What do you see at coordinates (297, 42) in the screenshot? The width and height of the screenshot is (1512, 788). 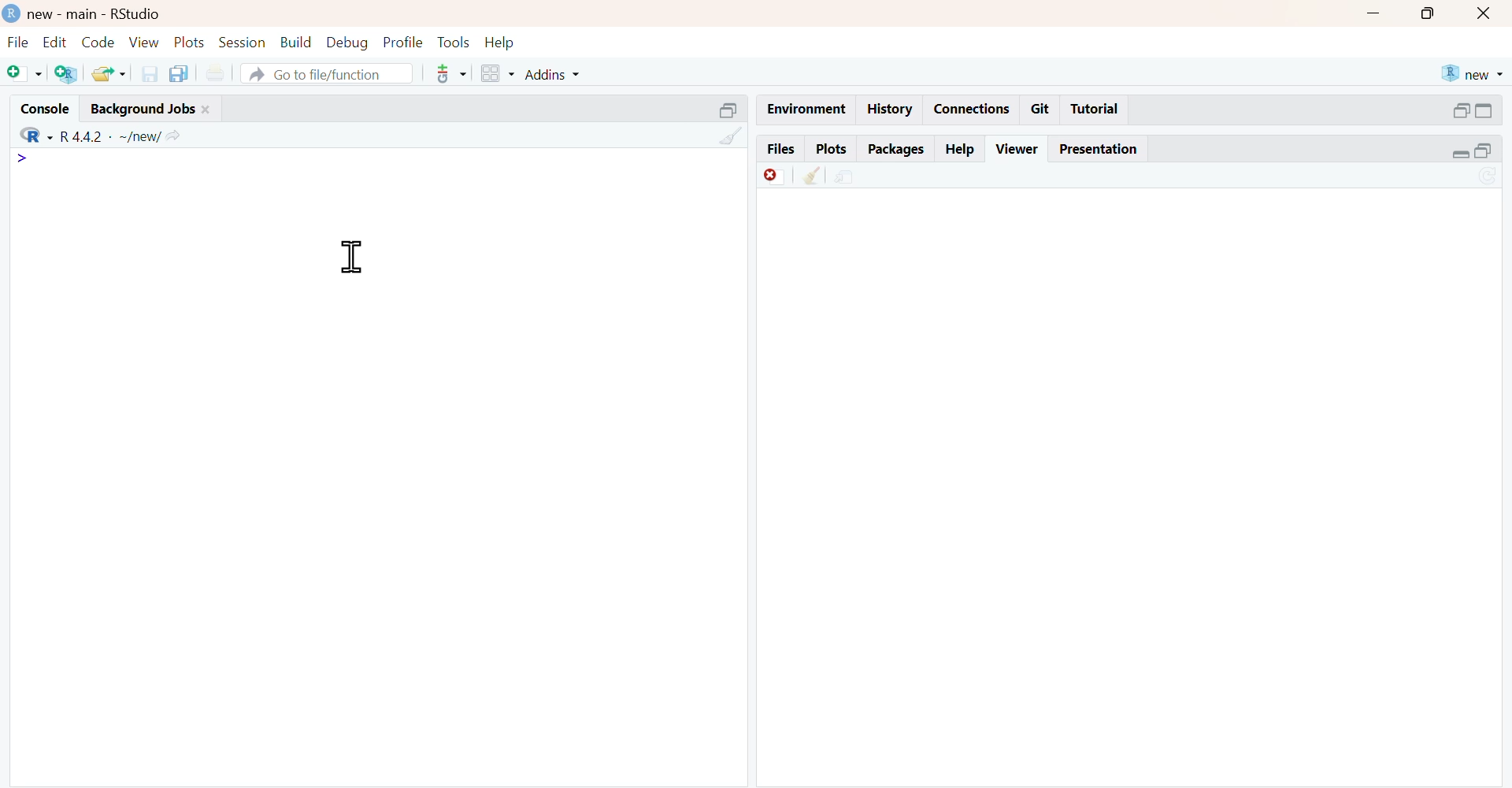 I see `build` at bounding box center [297, 42].